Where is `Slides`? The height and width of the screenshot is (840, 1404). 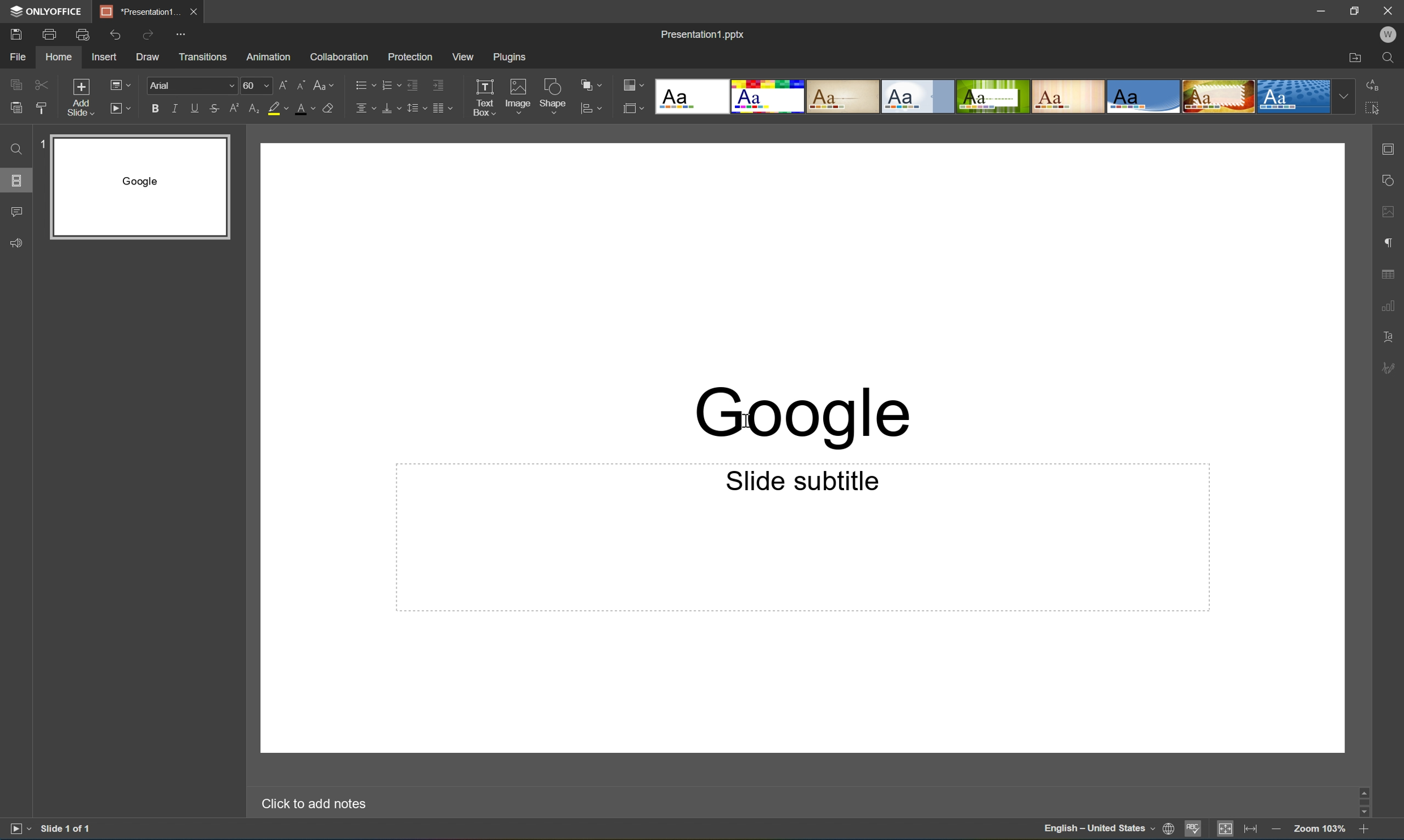
Slides is located at coordinates (16, 179).